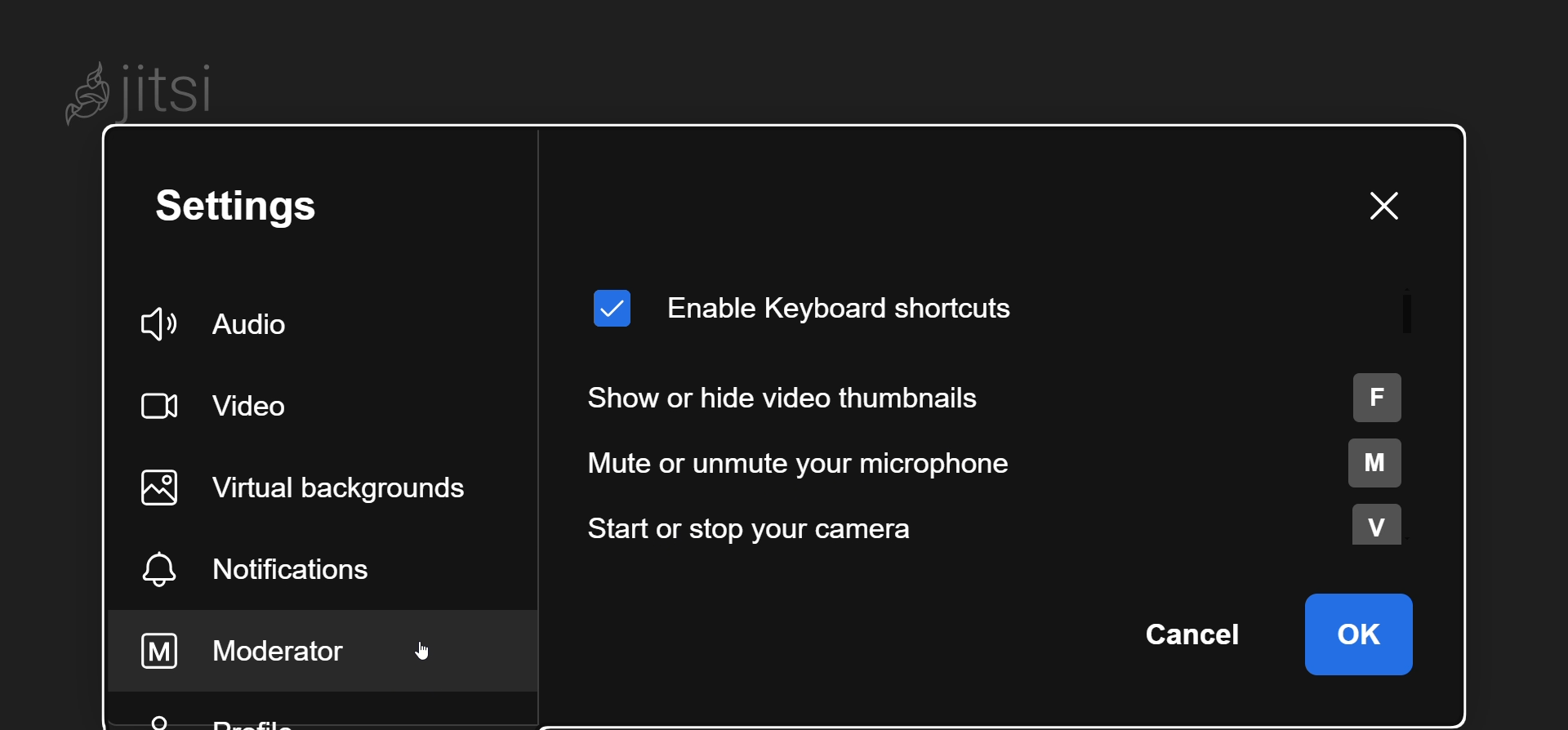  I want to click on start or stop camera, so click(1000, 527).